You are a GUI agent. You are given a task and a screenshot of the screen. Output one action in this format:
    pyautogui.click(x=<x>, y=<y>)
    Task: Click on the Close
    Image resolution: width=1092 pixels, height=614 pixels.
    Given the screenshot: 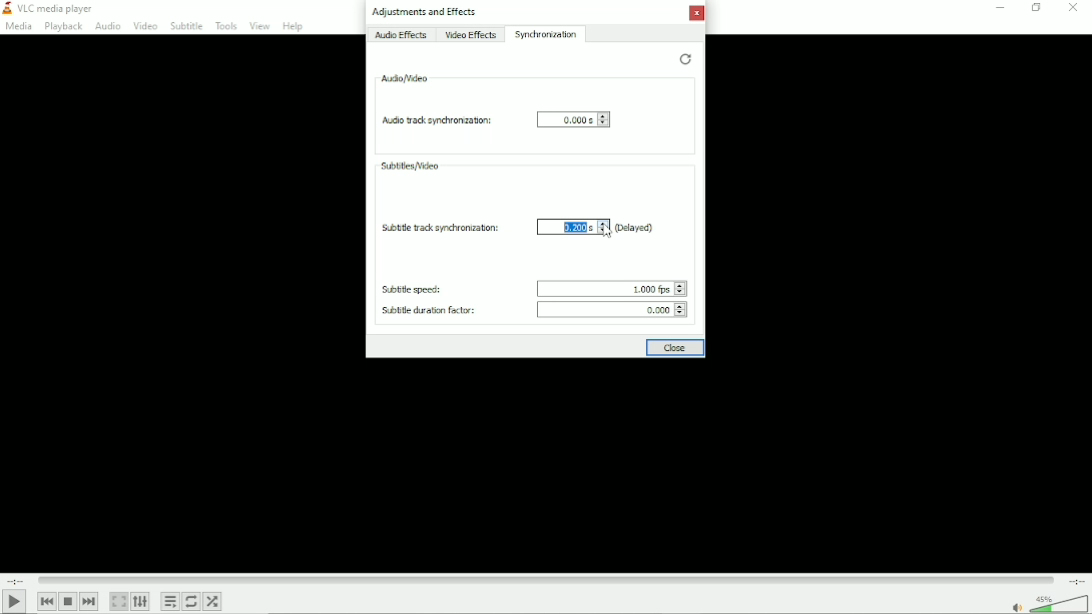 What is the action you would take?
    pyautogui.click(x=676, y=349)
    